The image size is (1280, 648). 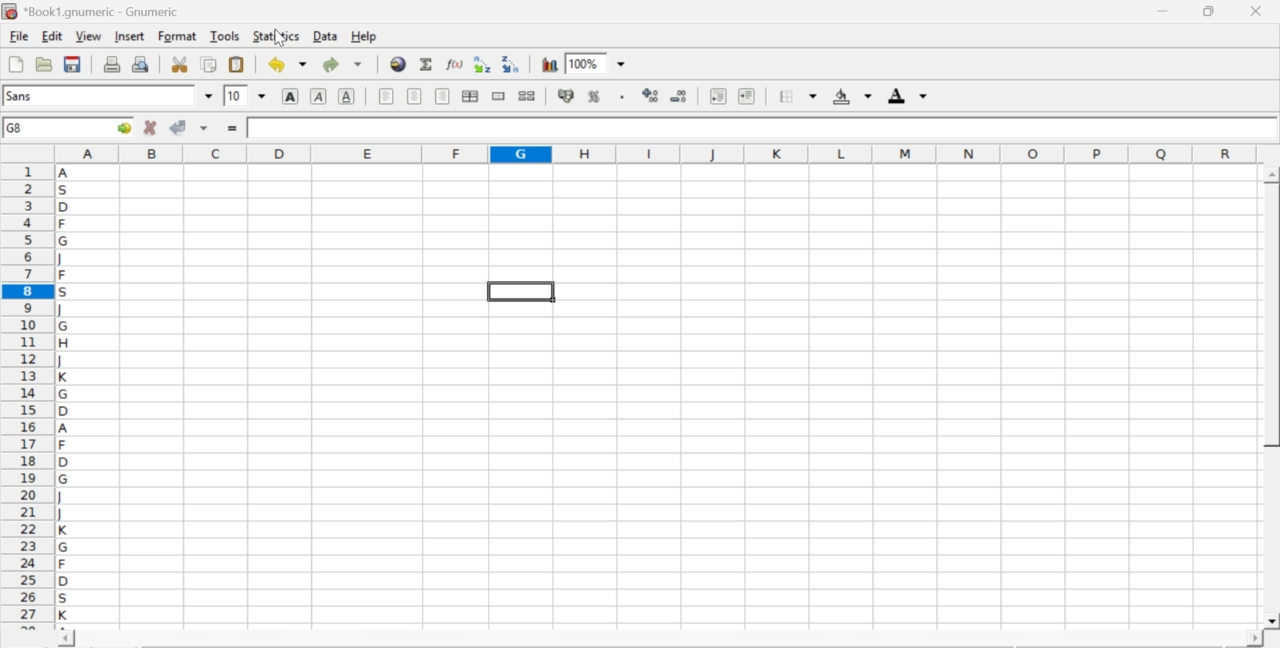 I want to click on drop down, so click(x=262, y=95).